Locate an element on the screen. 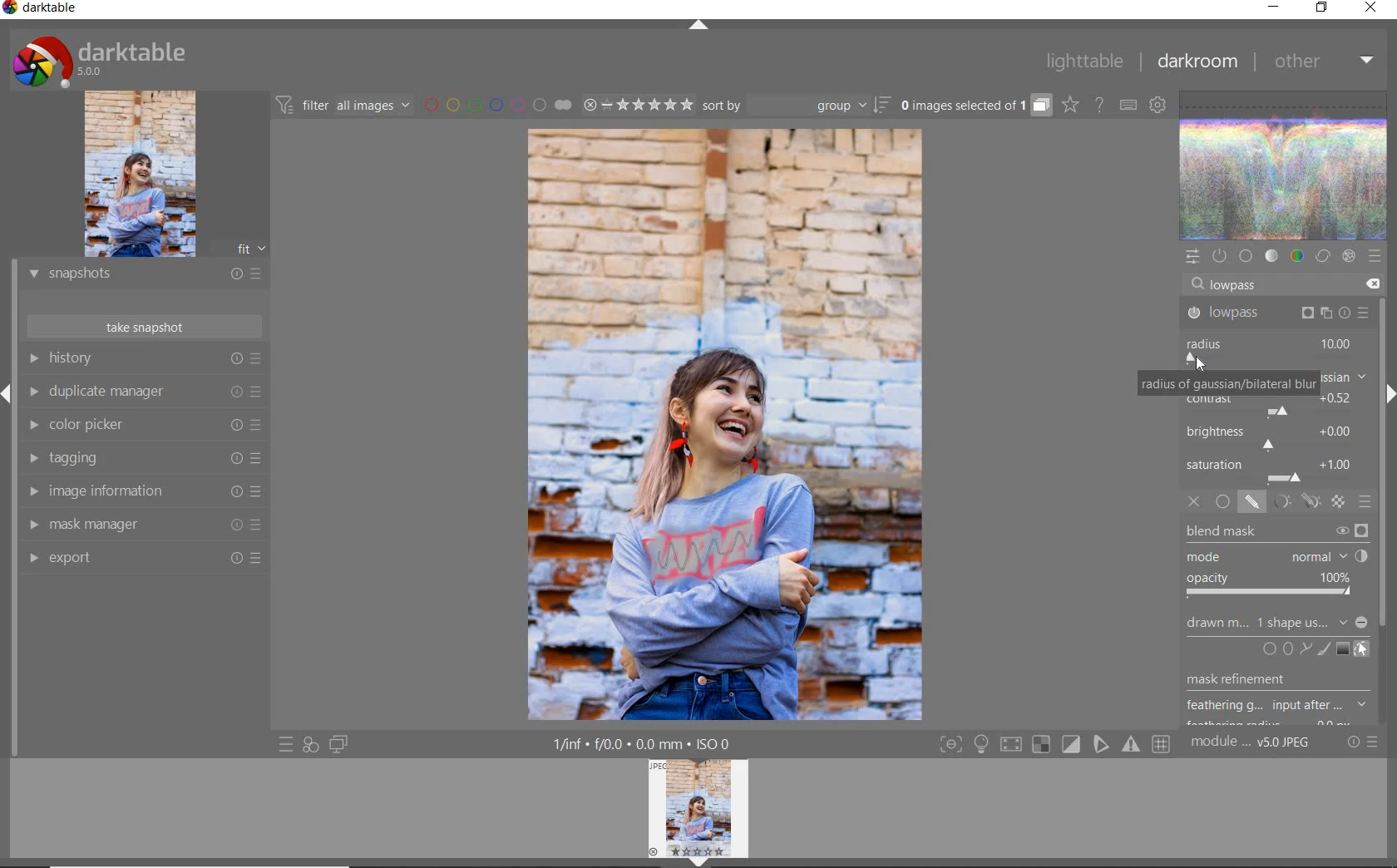 The image size is (1397, 868). filter images by color labels is located at coordinates (497, 106).